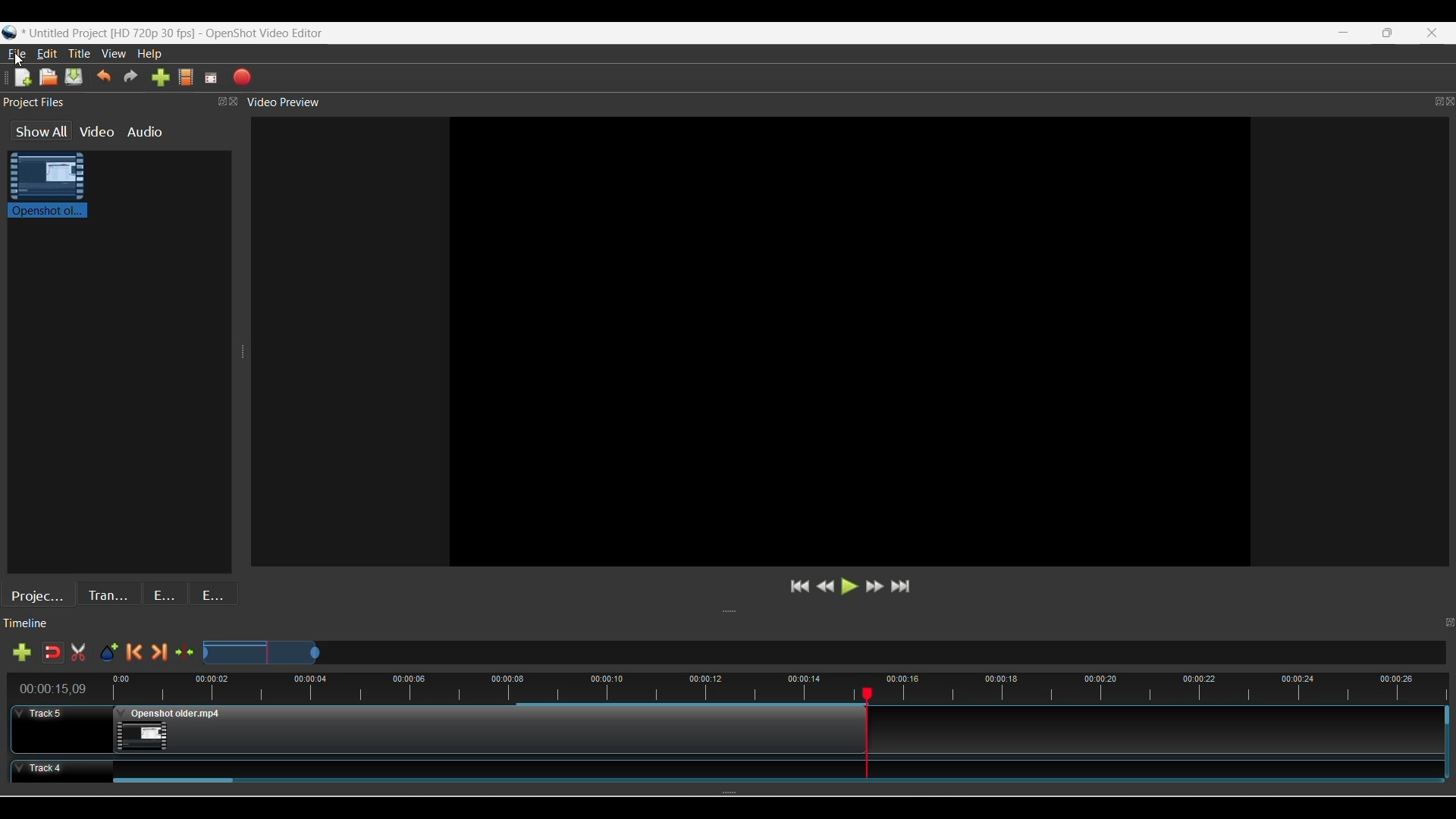 The height and width of the screenshot is (819, 1456). What do you see at coordinates (52, 652) in the screenshot?
I see `Disable snapping` at bounding box center [52, 652].